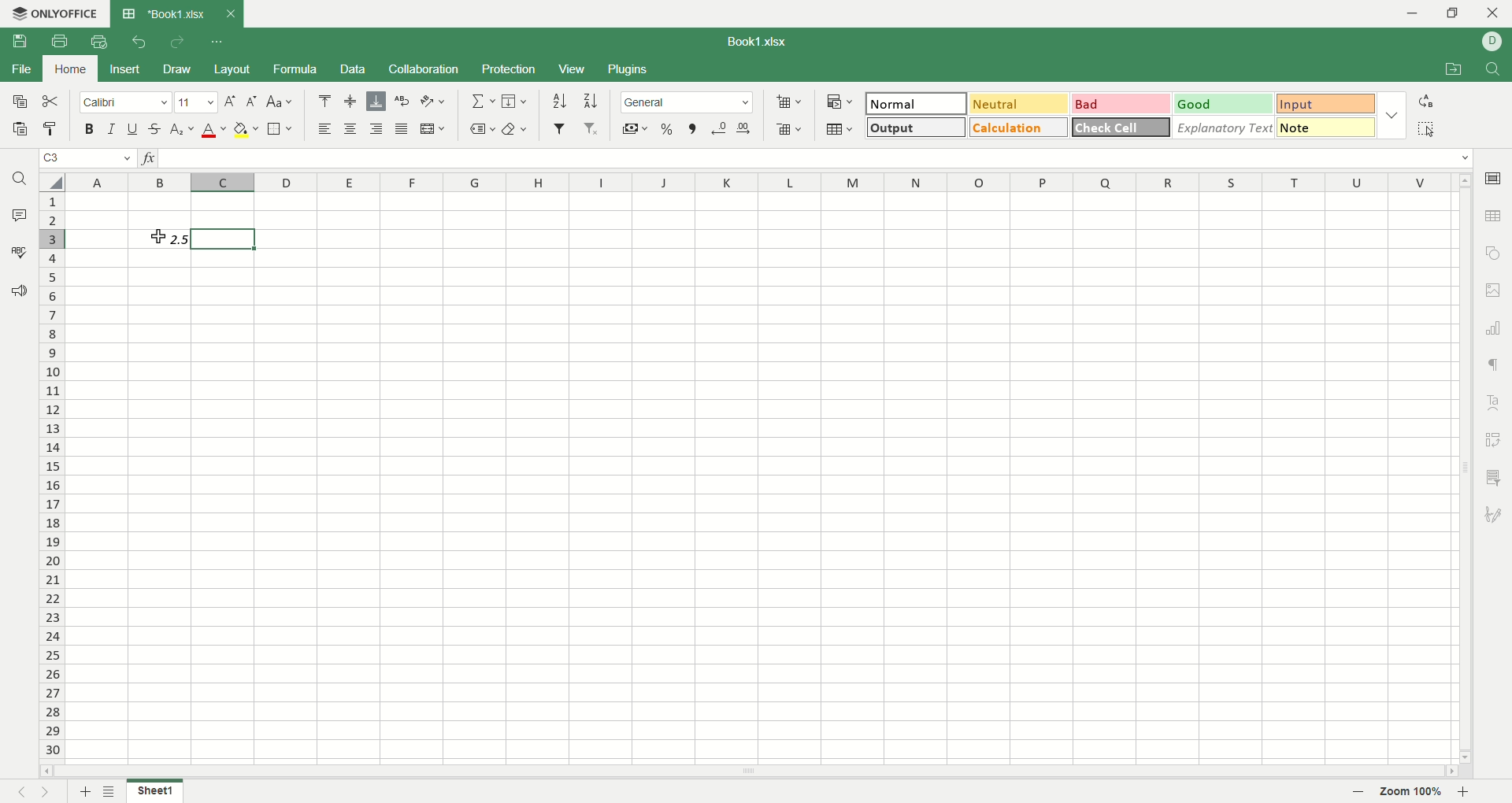 The image size is (1512, 803). I want to click on table, so click(1495, 214).